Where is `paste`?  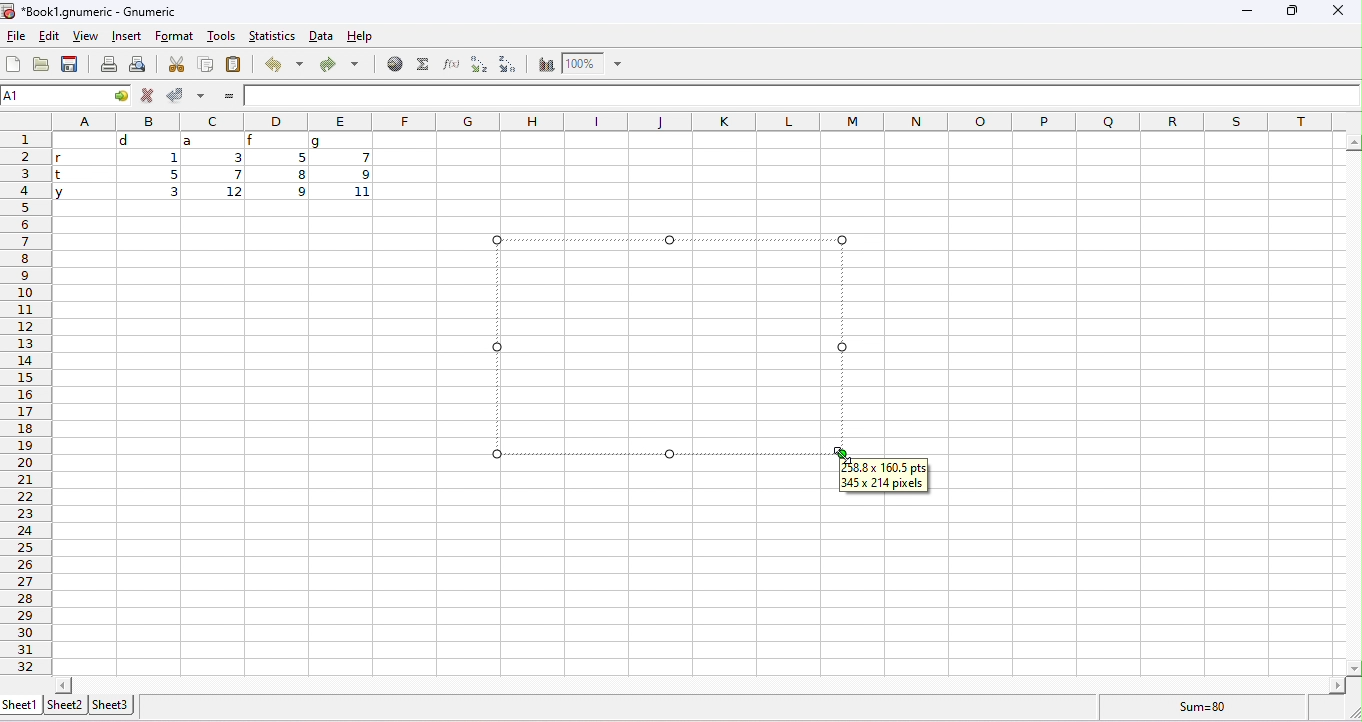 paste is located at coordinates (234, 63).